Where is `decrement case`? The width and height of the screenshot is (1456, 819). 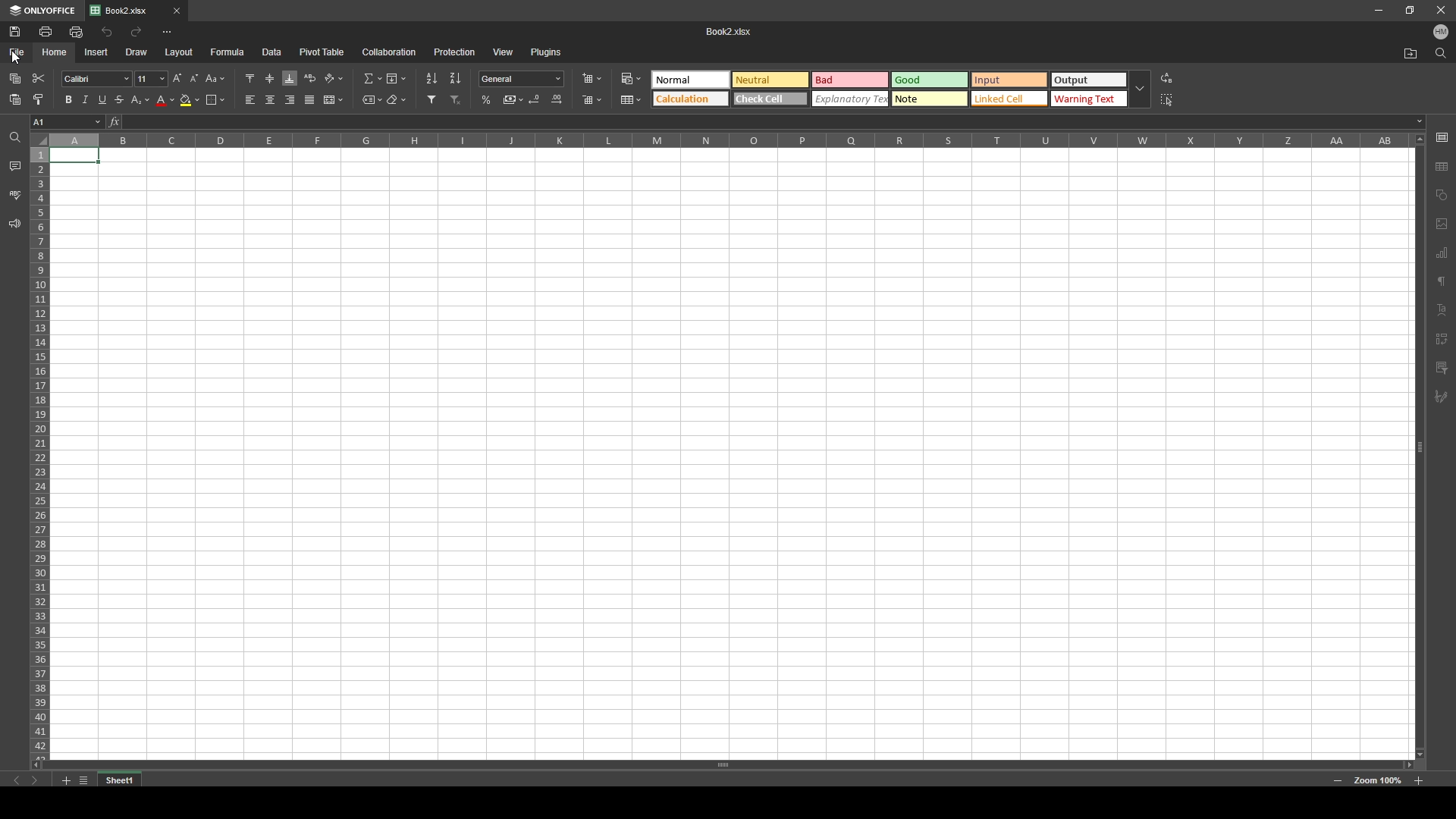 decrement case is located at coordinates (195, 79).